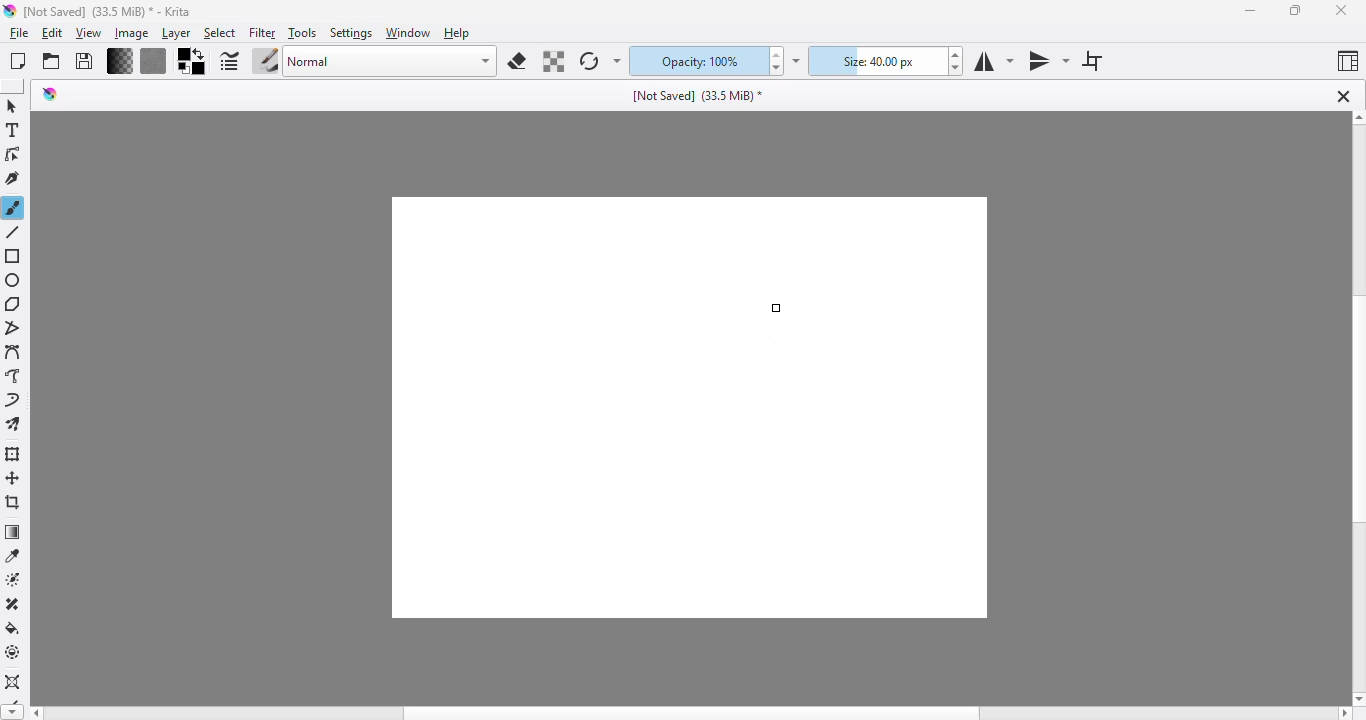  What do you see at coordinates (107, 11) in the screenshot?
I see `[Not Saved] (33.5 MiB)* - Krita` at bounding box center [107, 11].